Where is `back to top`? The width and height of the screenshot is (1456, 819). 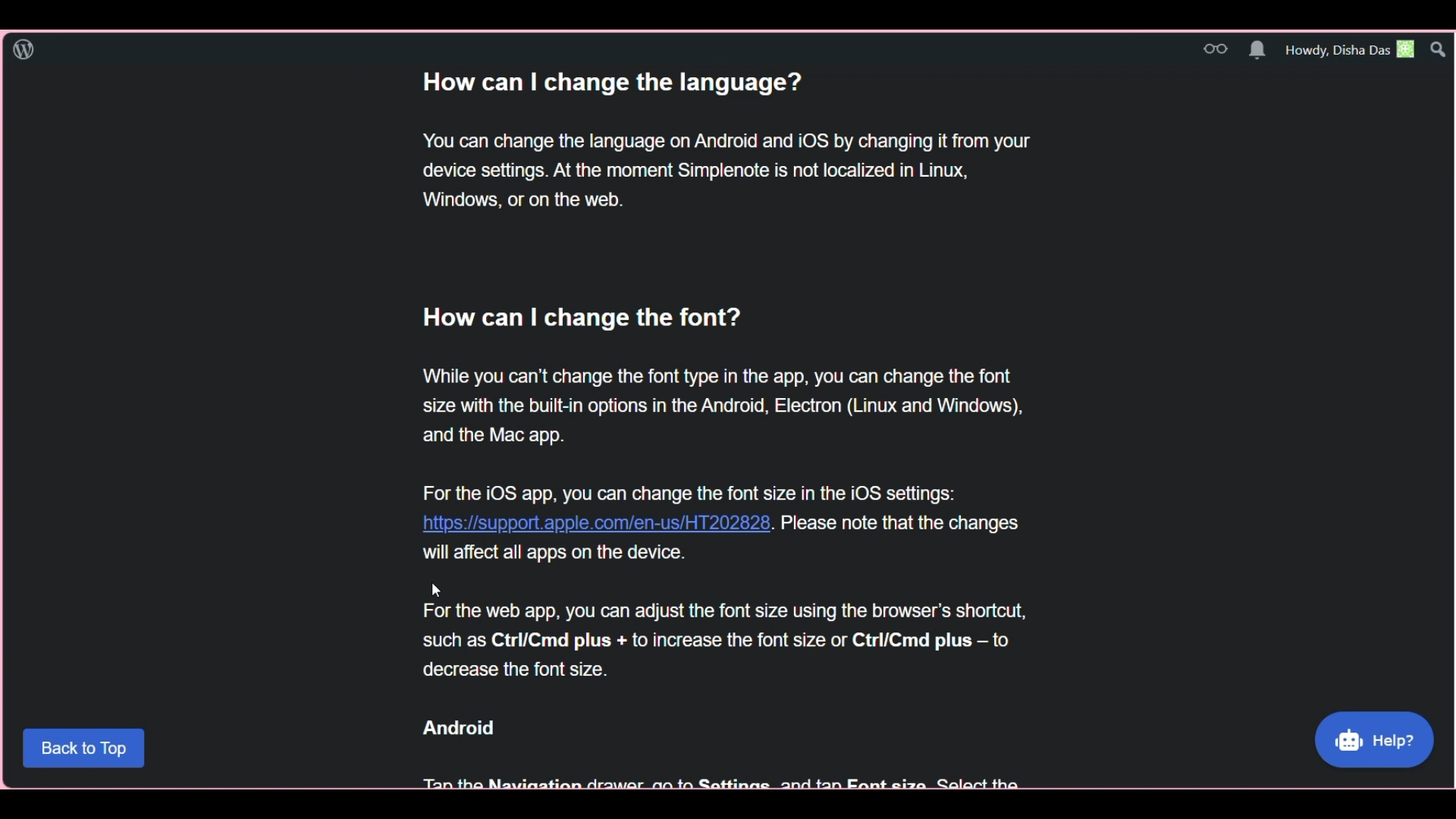 back to top is located at coordinates (84, 747).